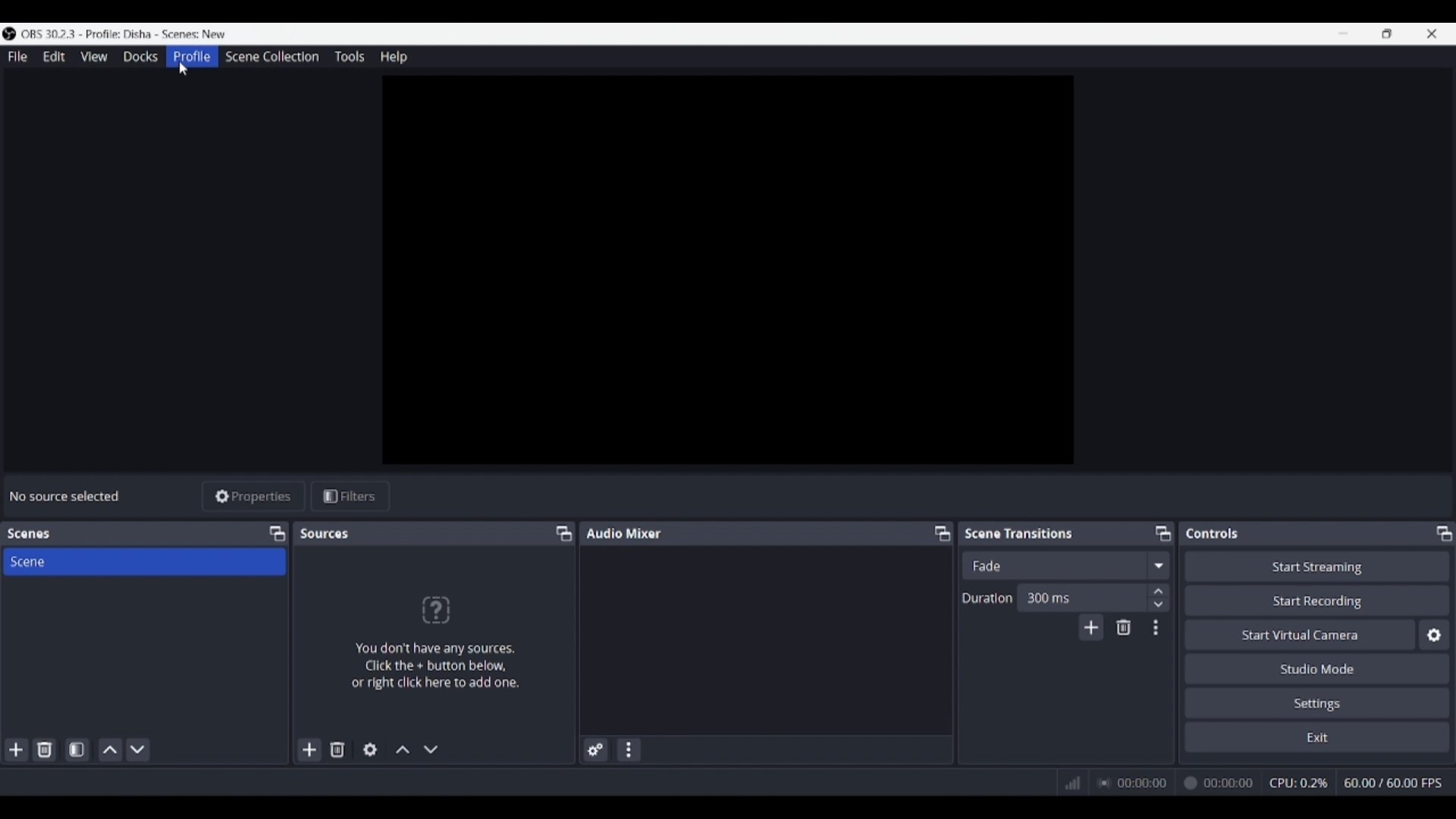 The height and width of the screenshot is (819, 1456). What do you see at coordinates (310, 749) in the screenshot?
I see `Add source` at bounding box center [310, 749].